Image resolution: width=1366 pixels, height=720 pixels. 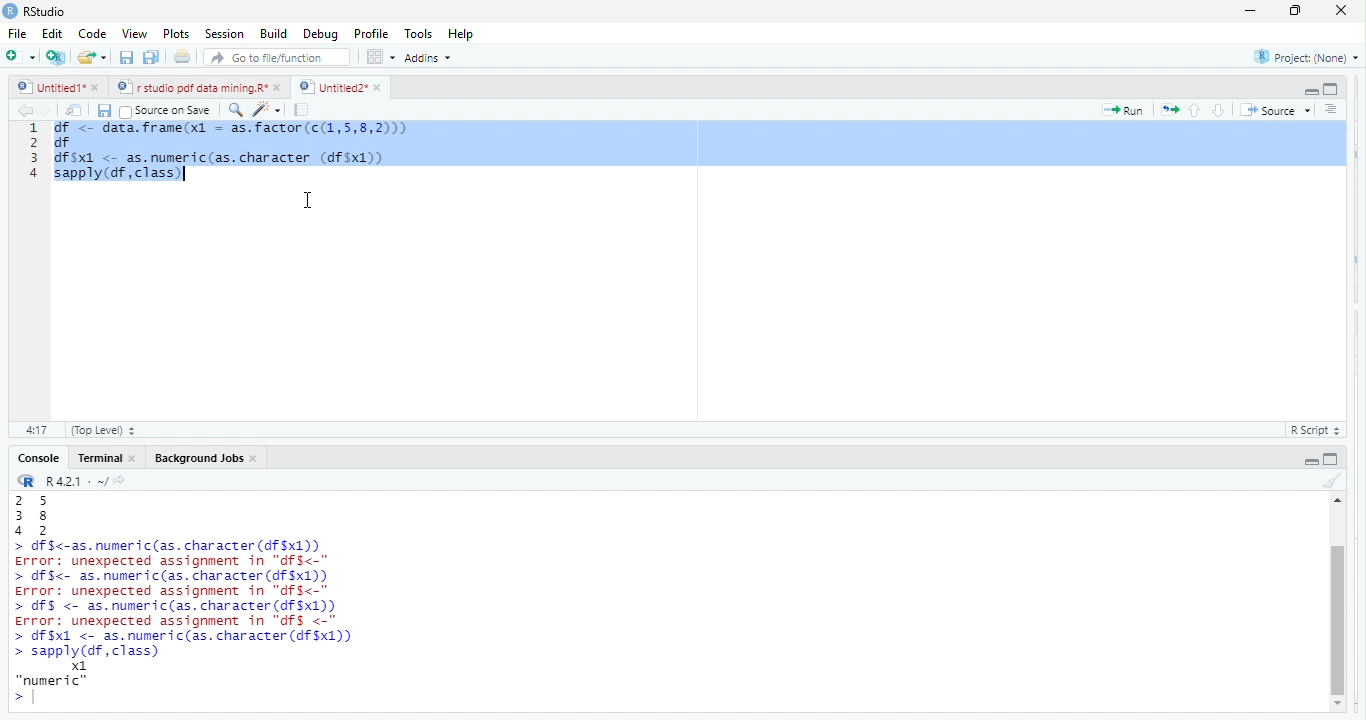 What do you see at coordinates (279, 87) in the screenshot?
I see `close` at bounding box center [279, 87].